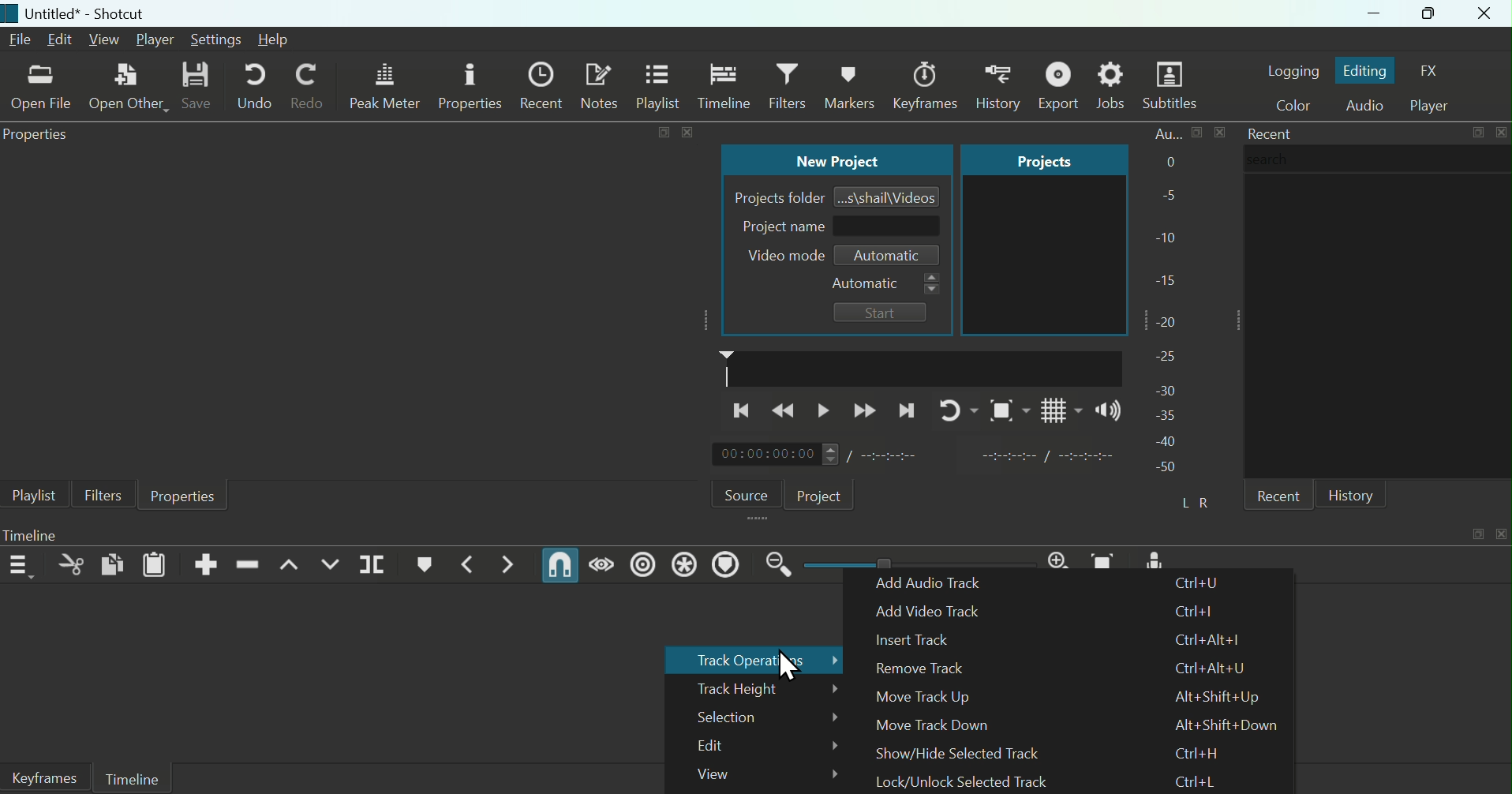 Image resolution: width=1512 pixels, height=794 pixels. I want to click on Remove Track, so click(934, 669).